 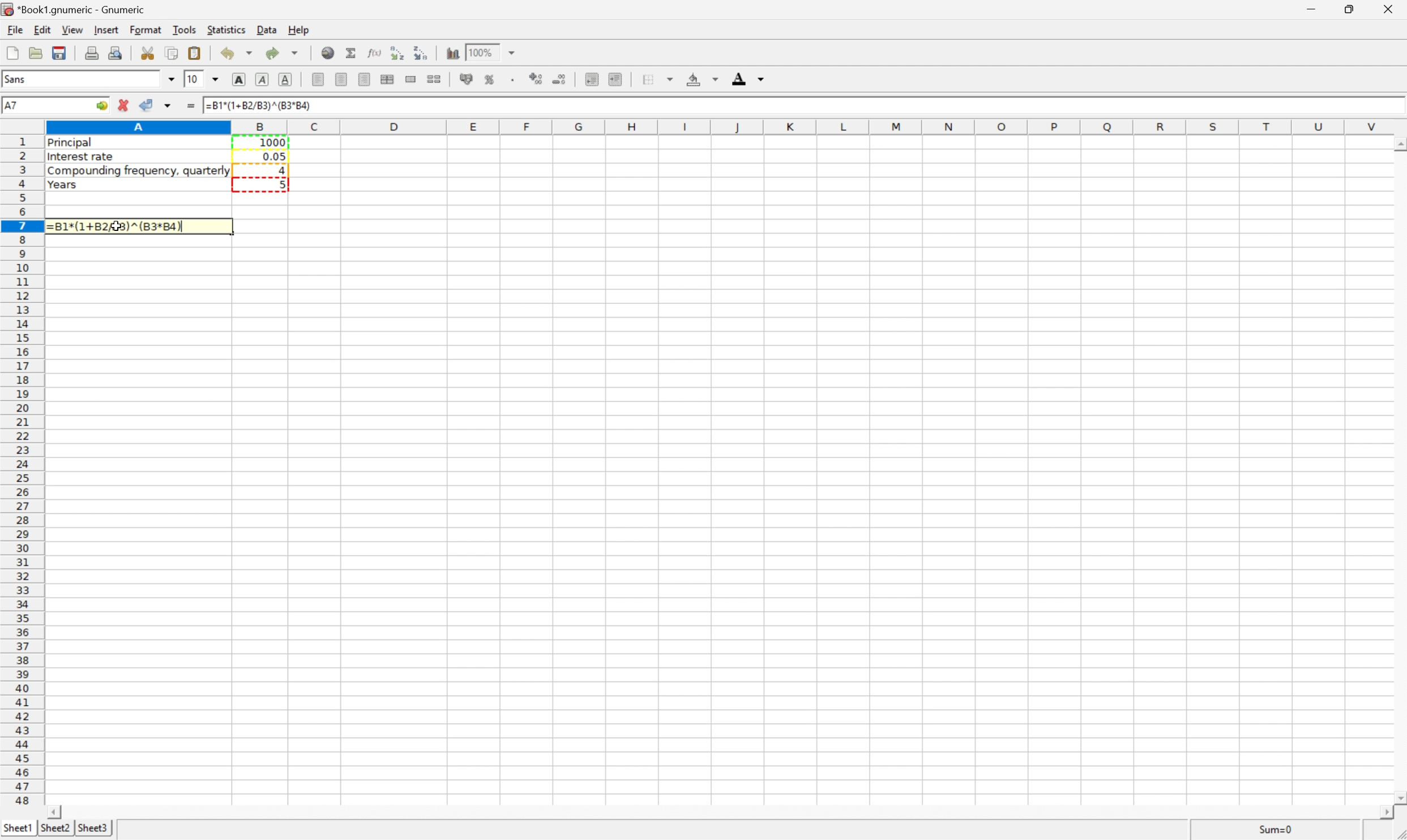 I want to click on bold, so click(x=238, y=78).